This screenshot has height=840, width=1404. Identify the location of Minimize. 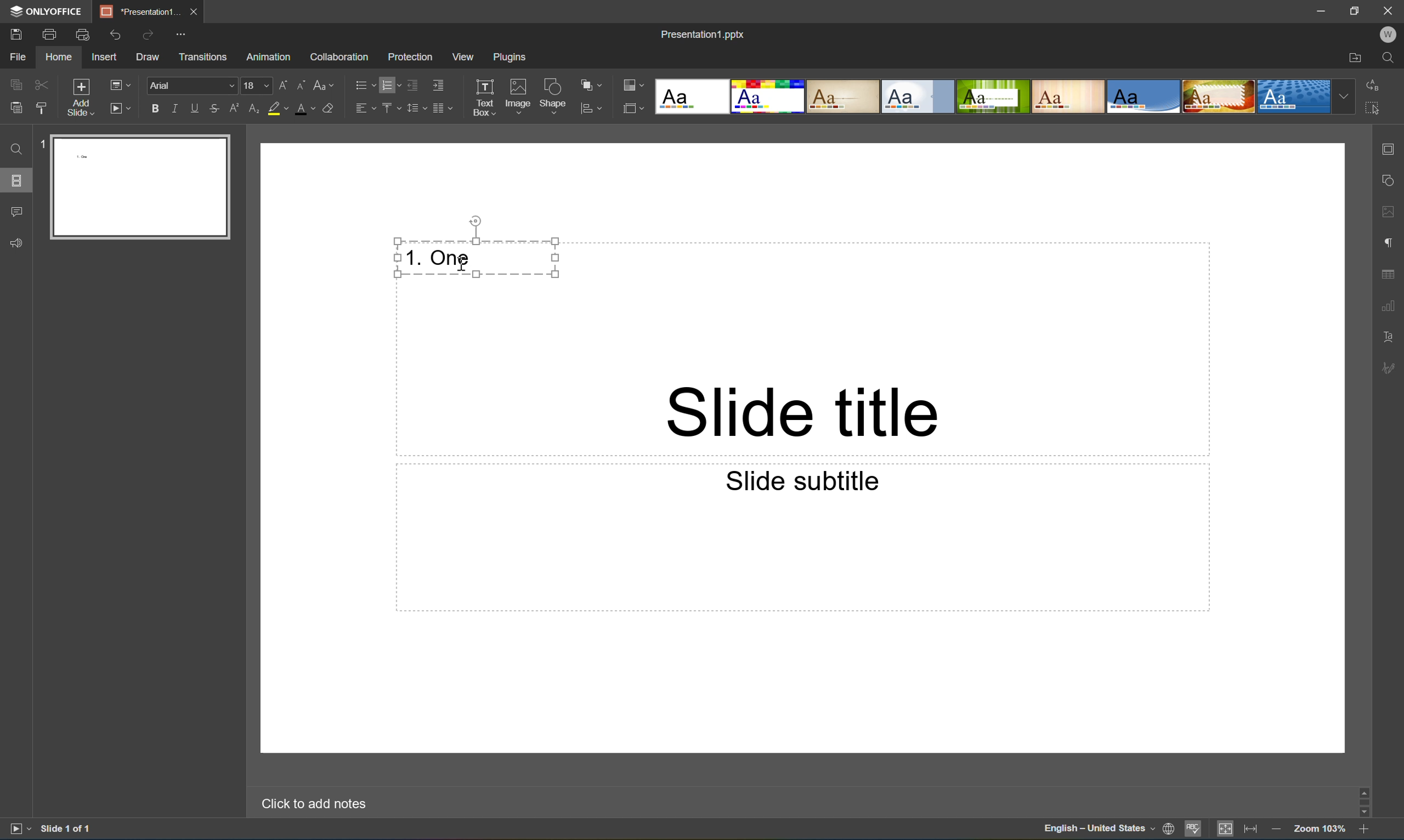
(1321, 10).